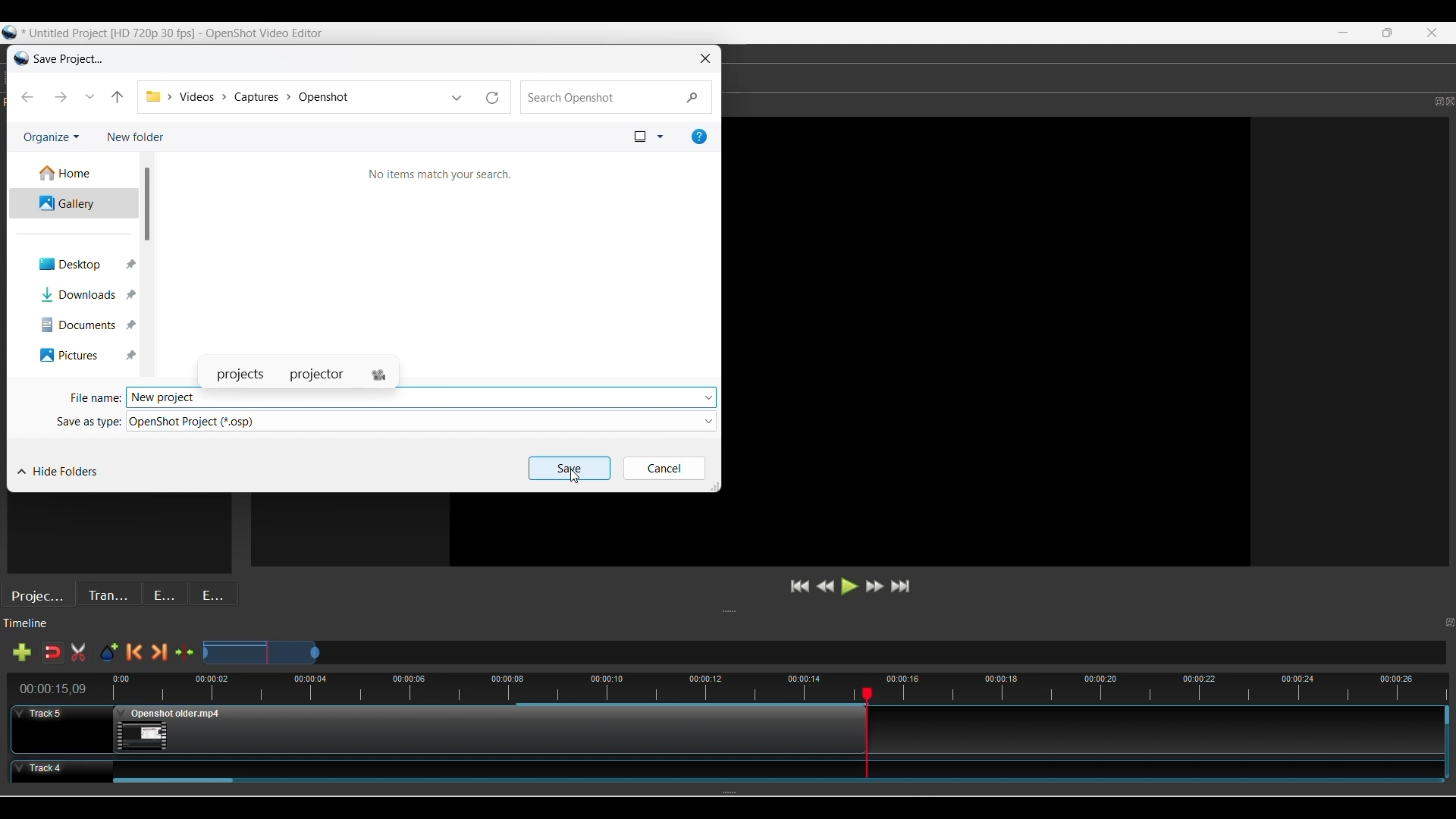  What do you see at coordinates (1342, 33) in the screenshot?
I see `minimize` at bounding box center [1342, 33].